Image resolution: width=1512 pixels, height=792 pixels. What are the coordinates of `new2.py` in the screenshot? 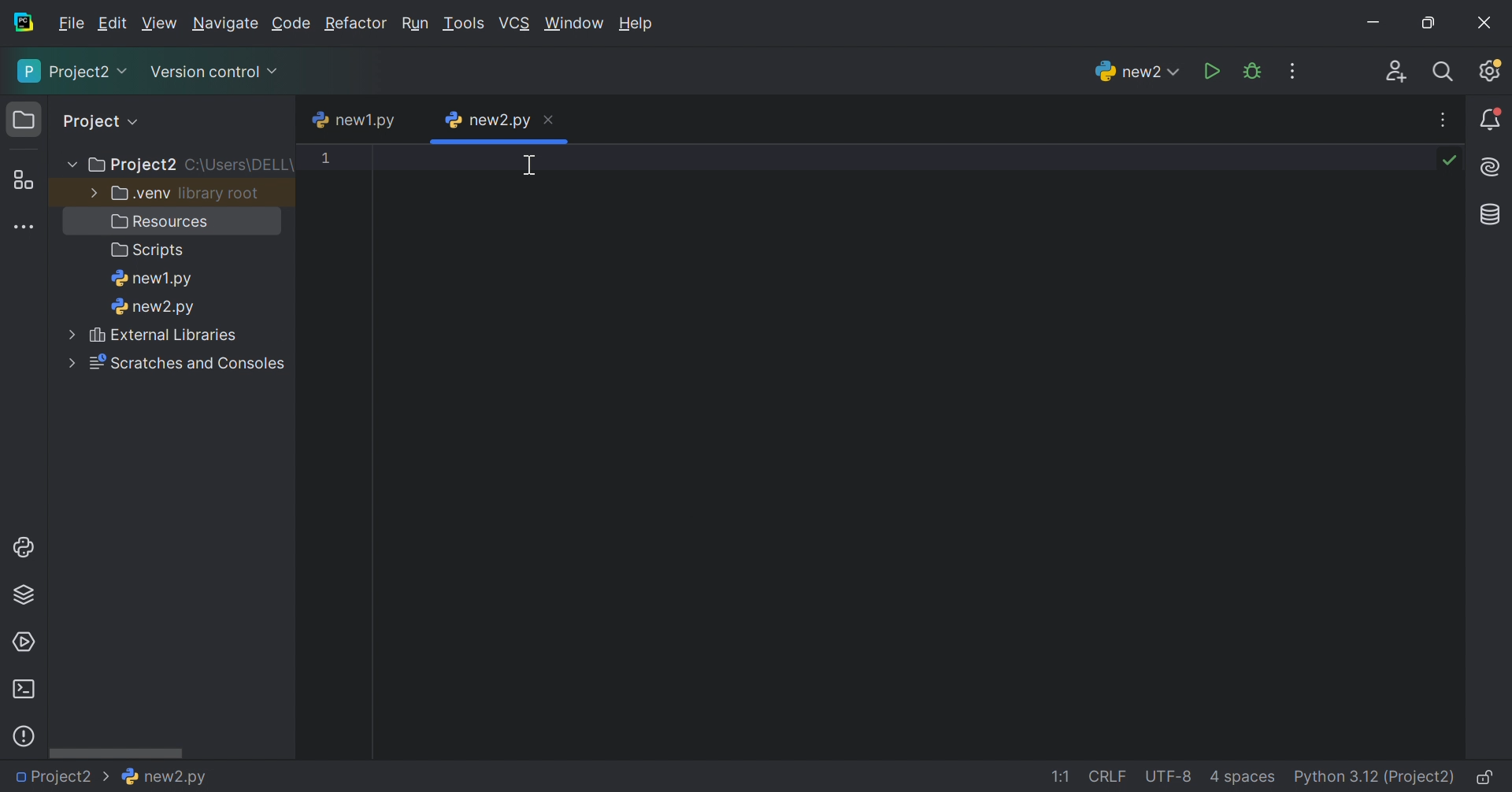 It's located at (155, 308).